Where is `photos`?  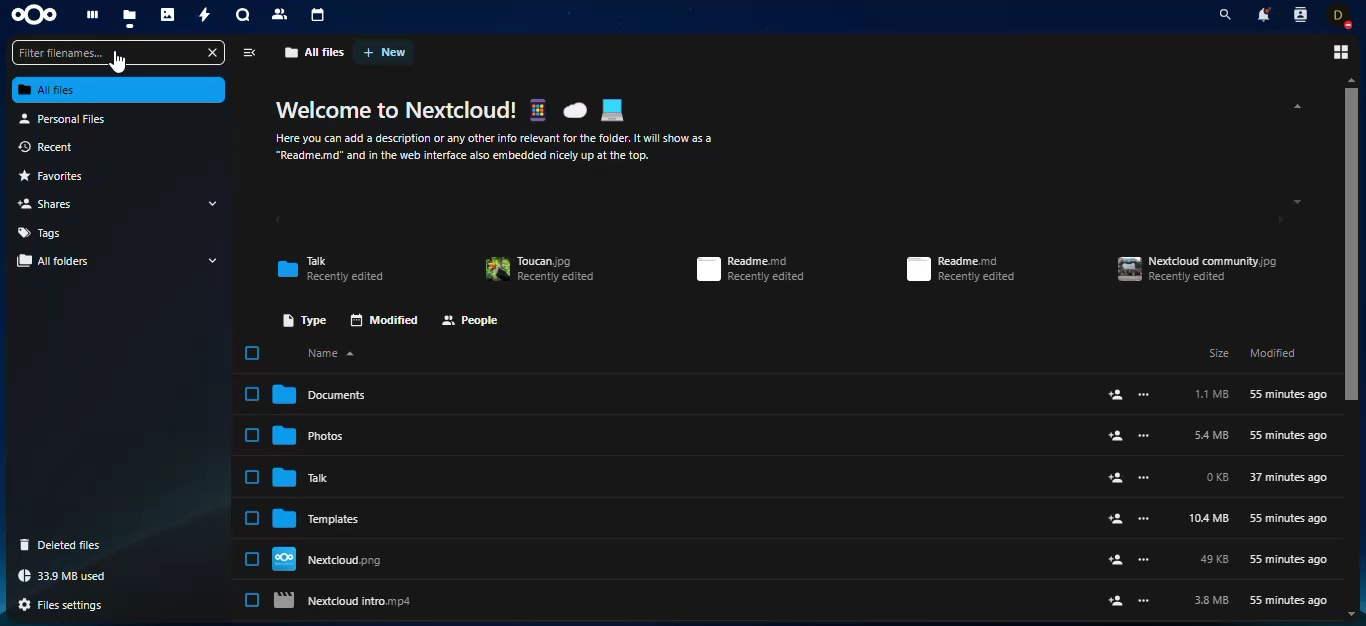 photos is located at coordinates (169, 17).